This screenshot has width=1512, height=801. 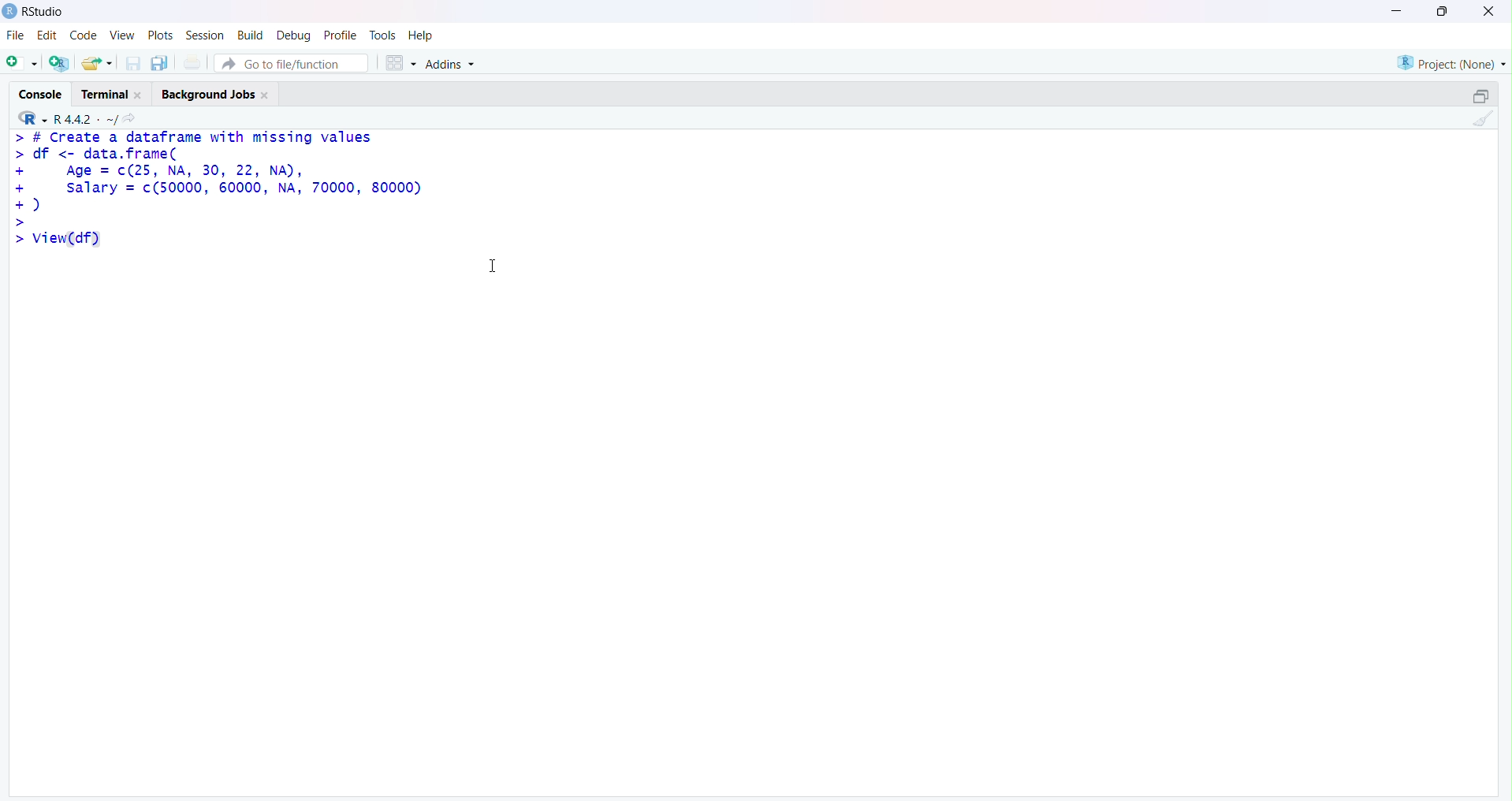 What do you see at coordinates (251, 35) in the screenshot?
I see `Build` at bounding box center [251, 35].